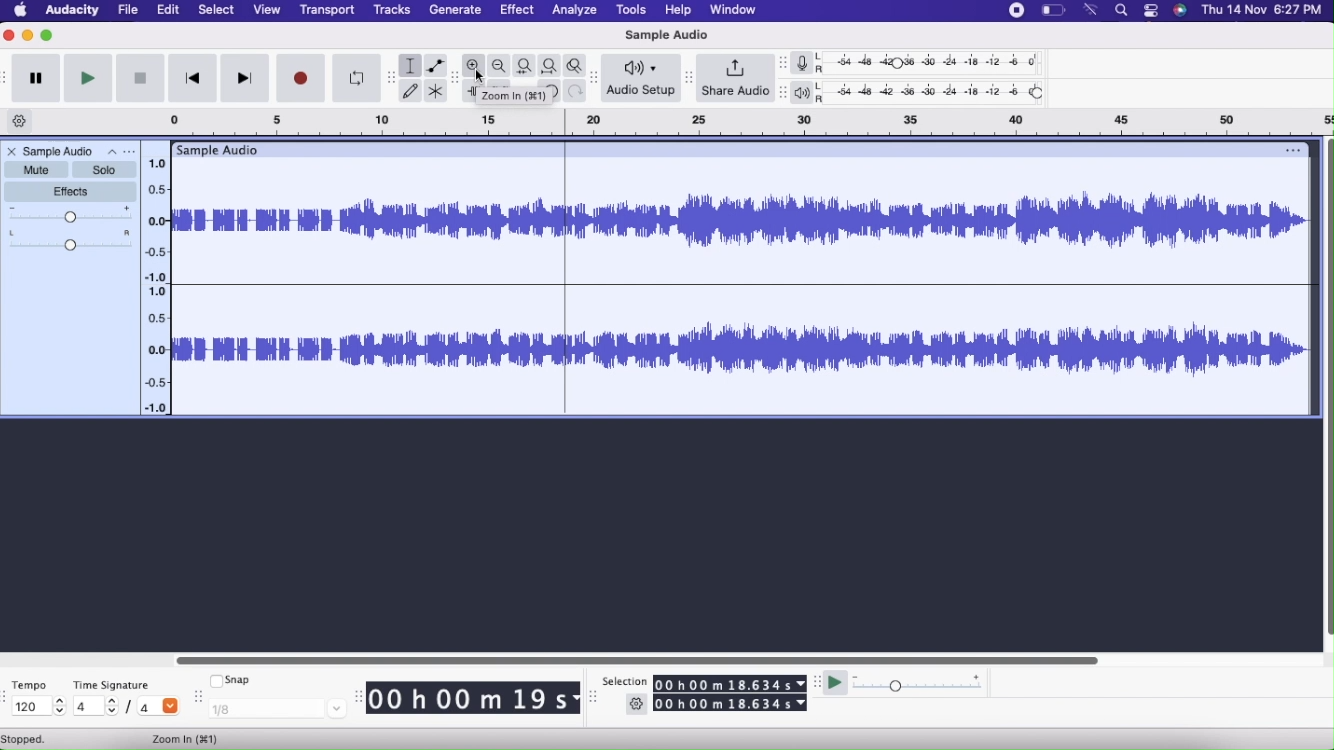  I want to click on Maximize, so click(48, 37).